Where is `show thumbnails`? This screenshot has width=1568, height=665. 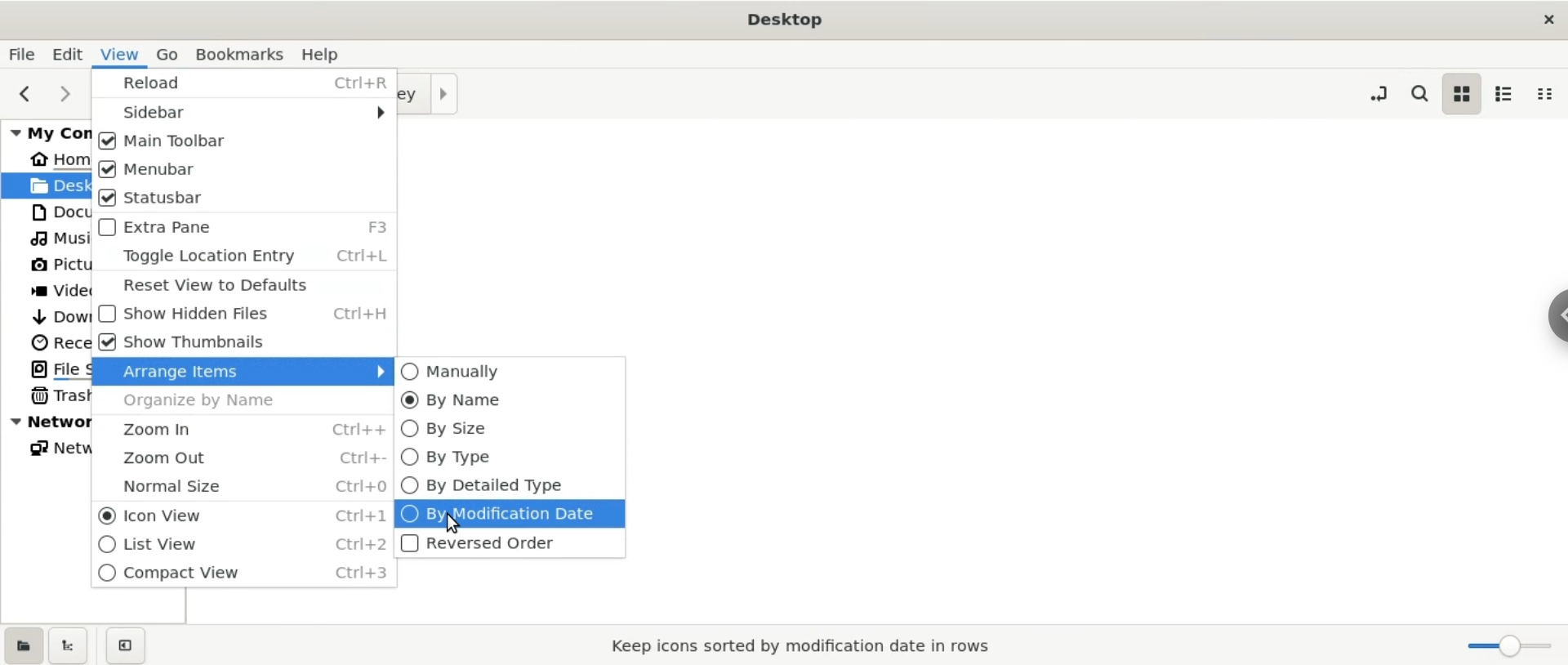
show thumbnails is located at coordinates (243, 344).